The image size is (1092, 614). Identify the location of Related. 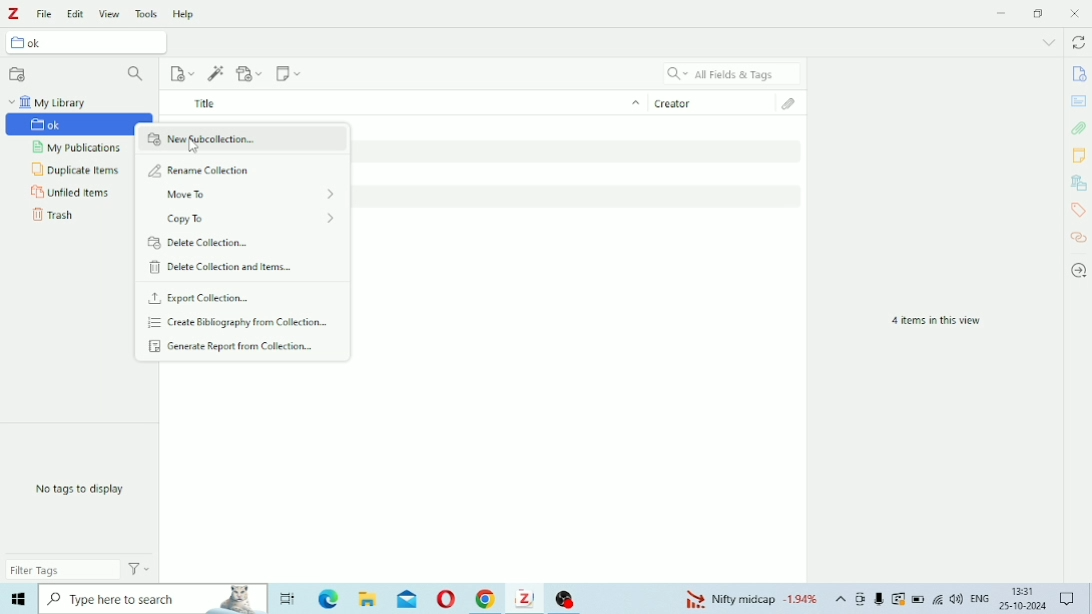
(1080, 237).